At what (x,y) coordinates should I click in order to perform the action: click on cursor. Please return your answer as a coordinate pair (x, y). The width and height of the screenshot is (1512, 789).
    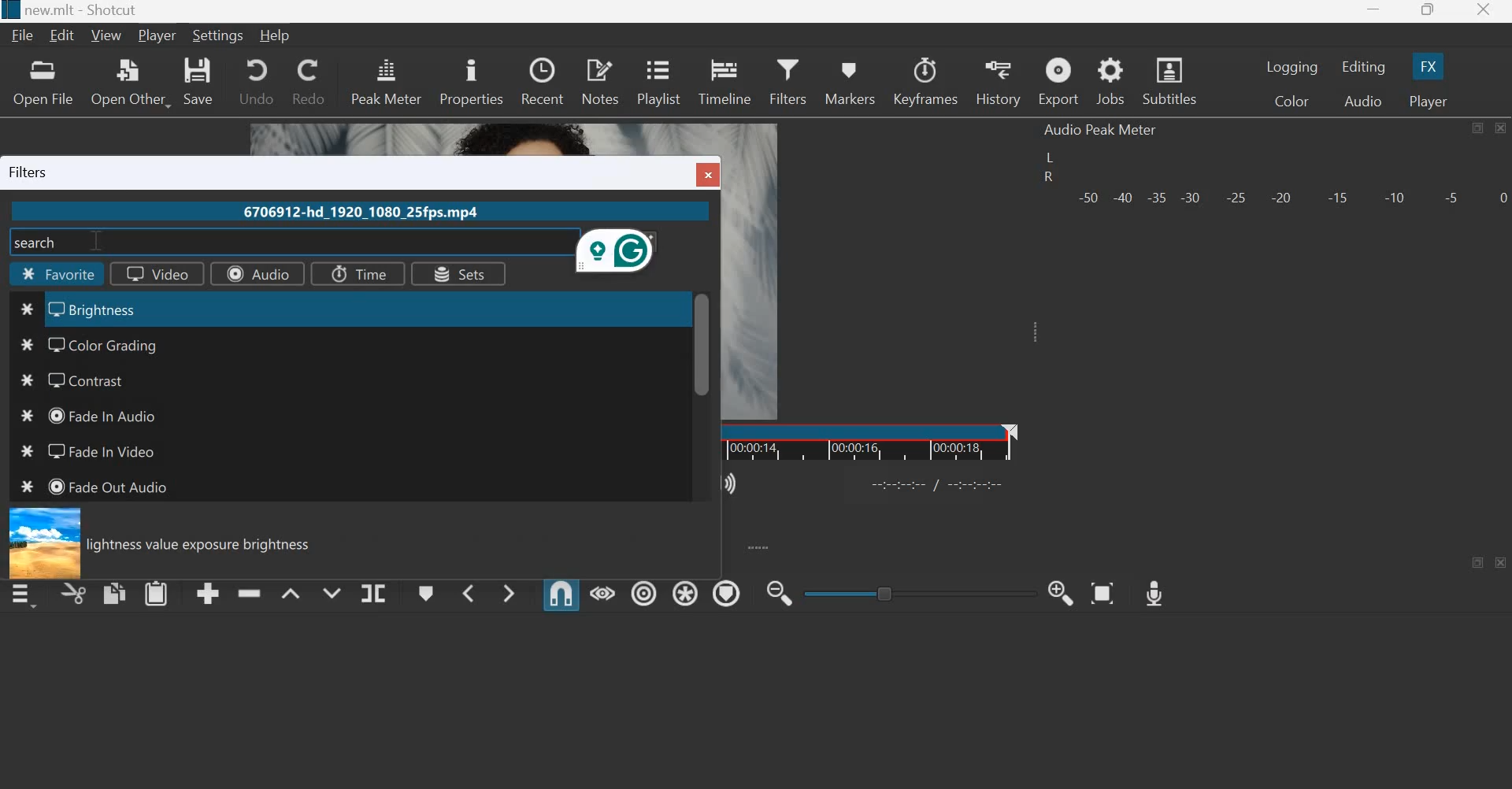
    Looking at the image, I should click on (97, 243).